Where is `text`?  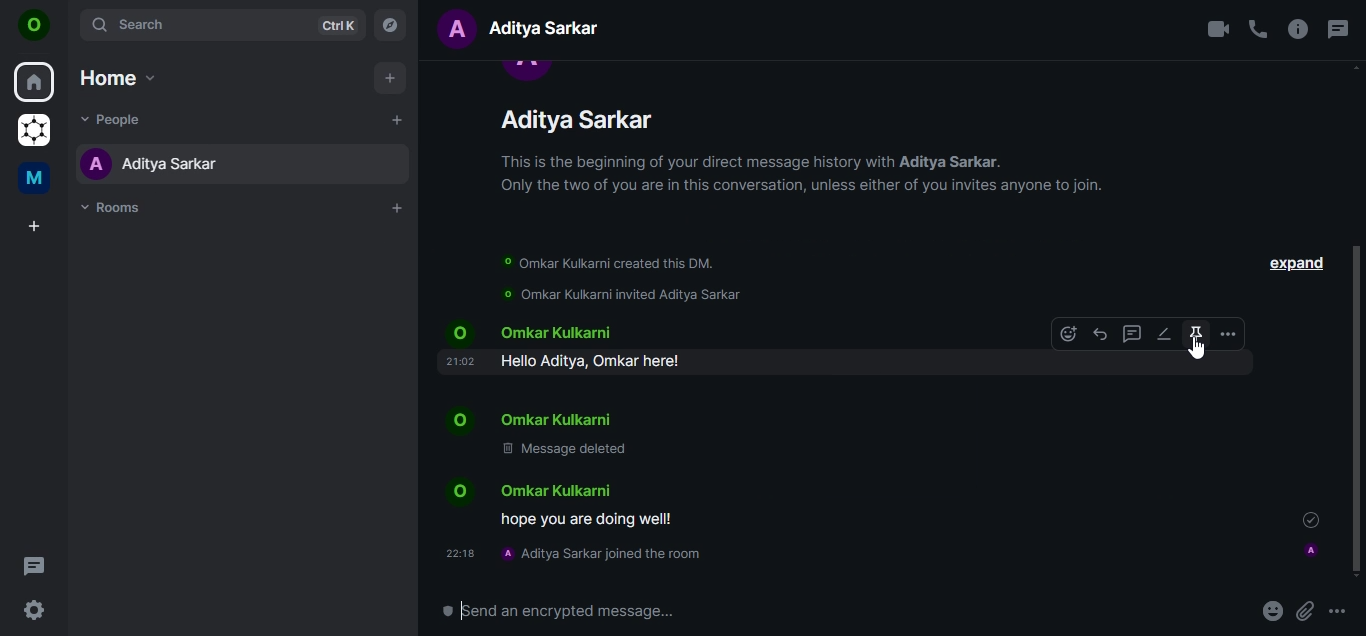
text is located at coordinates (820, 184).